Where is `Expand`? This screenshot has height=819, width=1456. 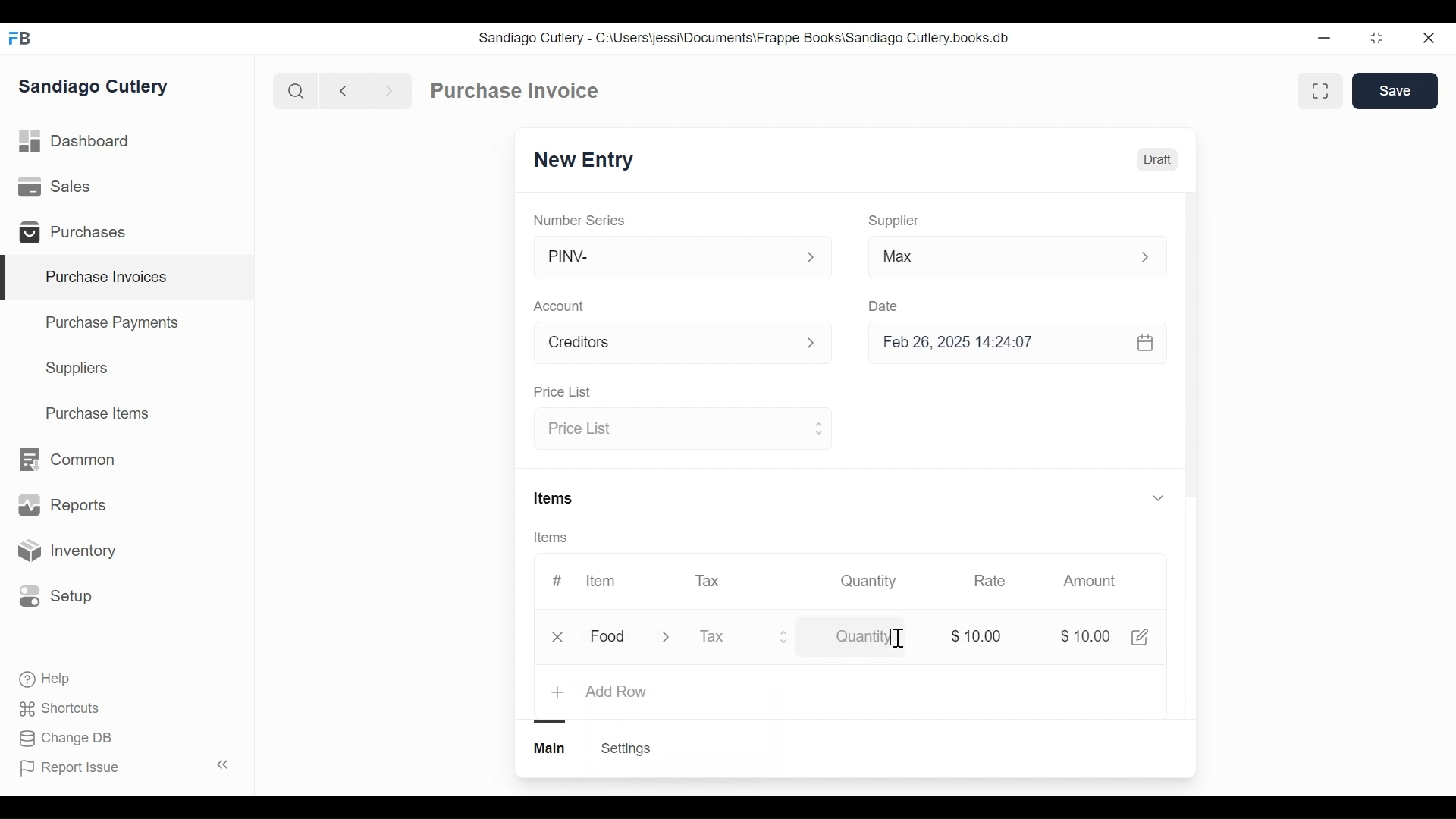
Expand is located at coordinates (676, 638).